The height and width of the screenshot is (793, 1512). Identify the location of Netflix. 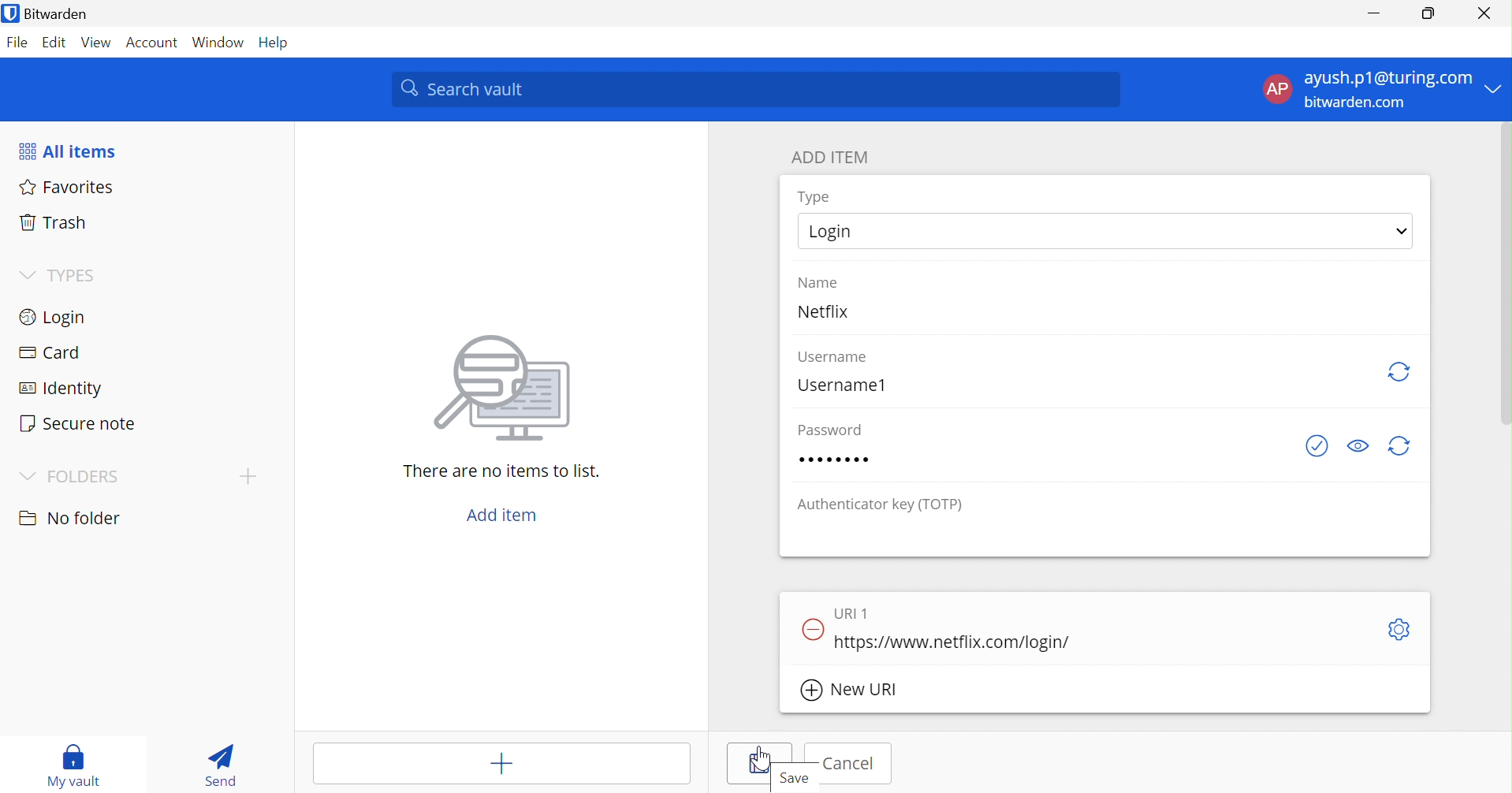
(822, 311).